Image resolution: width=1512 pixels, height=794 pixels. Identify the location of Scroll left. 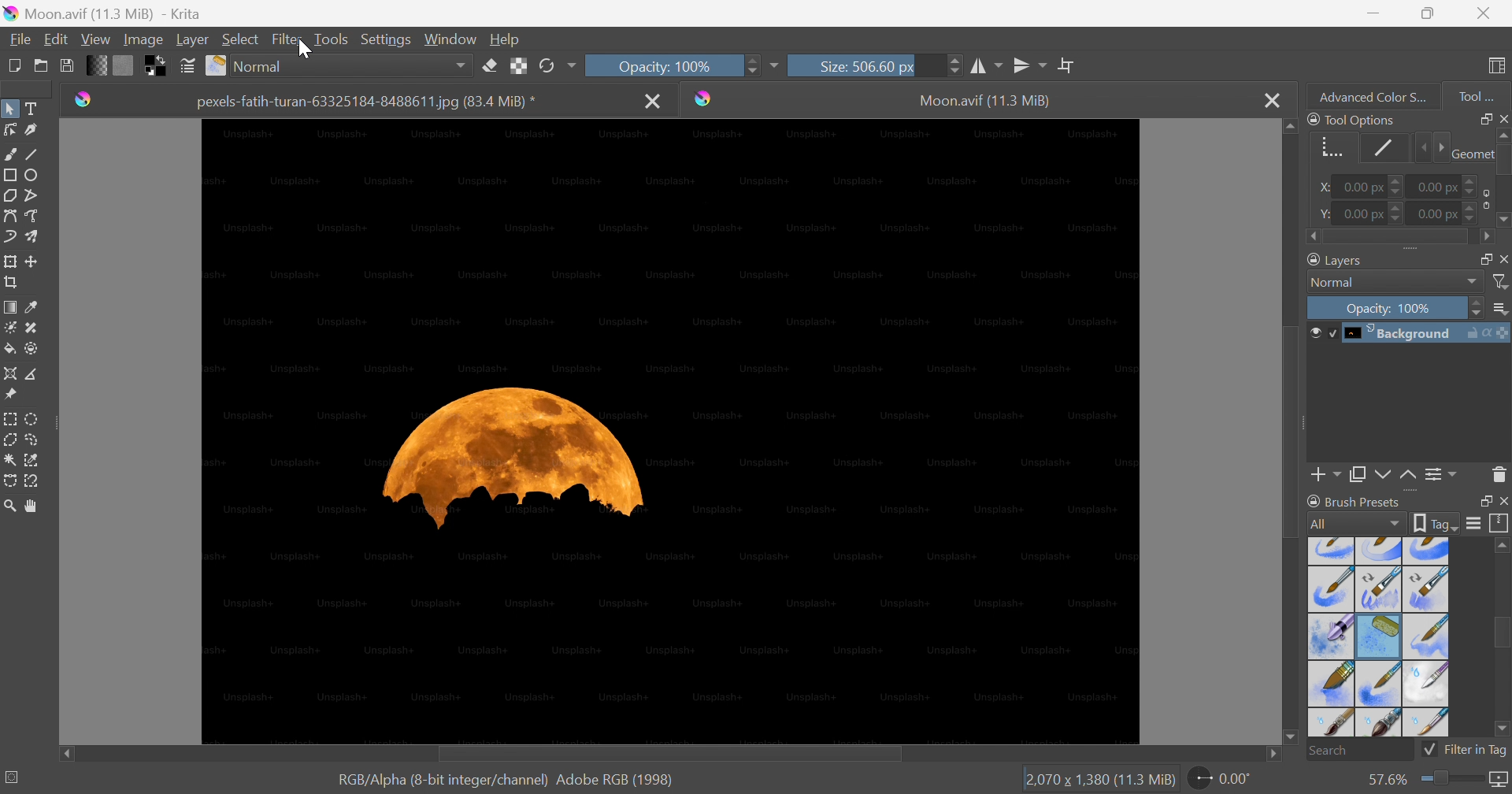
(1314, 237).